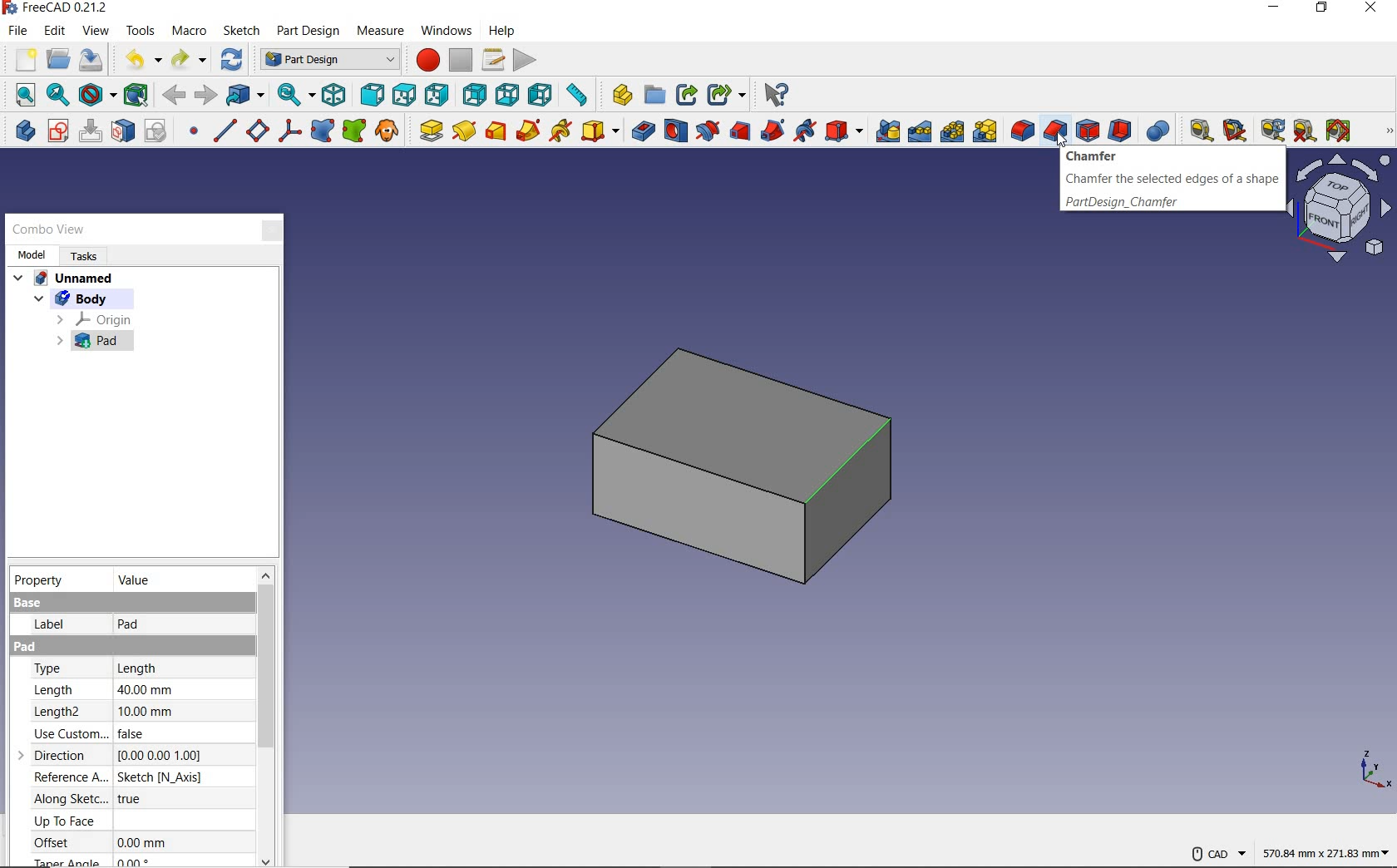  I want to click on 0.00°, so click(139, 861).